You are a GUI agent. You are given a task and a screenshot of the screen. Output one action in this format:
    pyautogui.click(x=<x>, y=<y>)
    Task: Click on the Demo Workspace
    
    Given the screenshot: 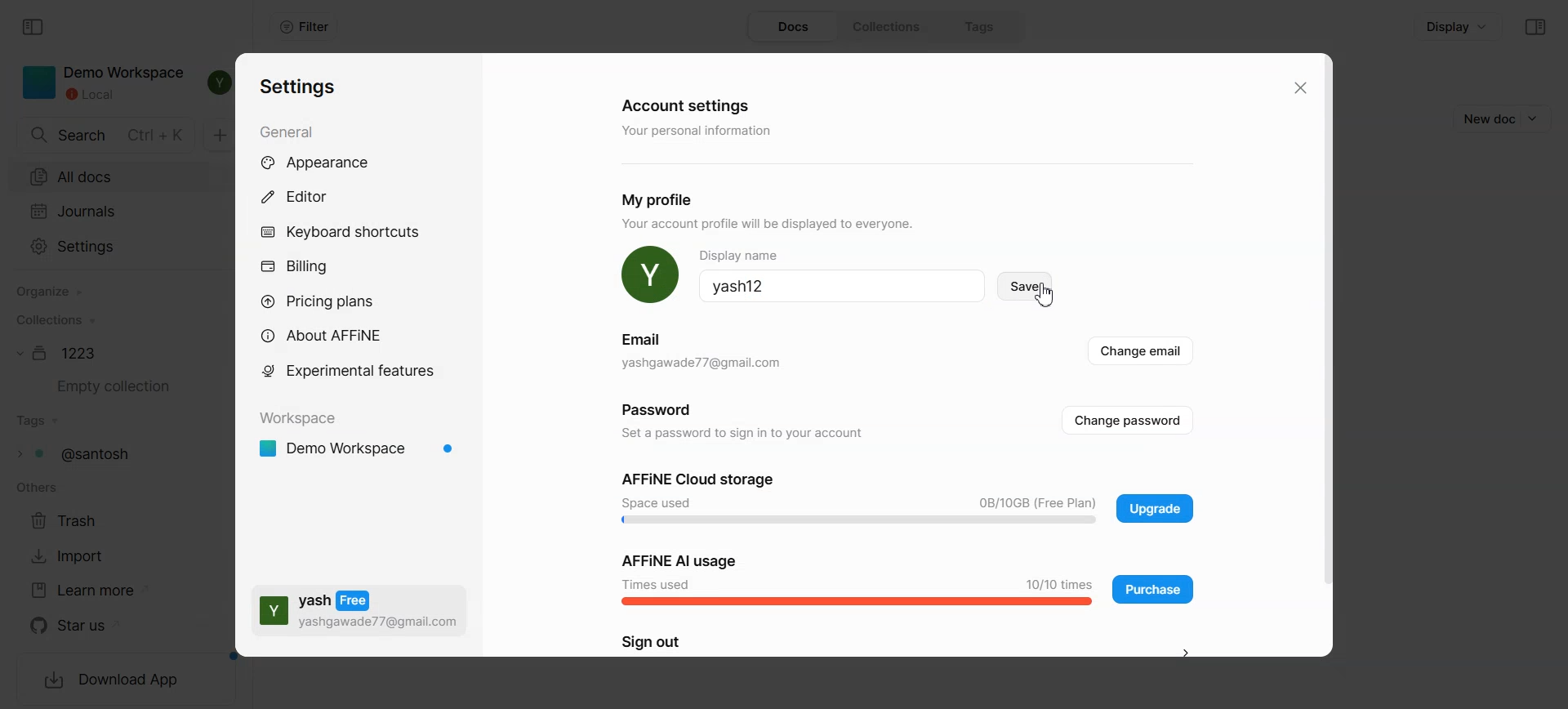 What is the action you would take?
    pyautogui.click(x=104, y=83)
    